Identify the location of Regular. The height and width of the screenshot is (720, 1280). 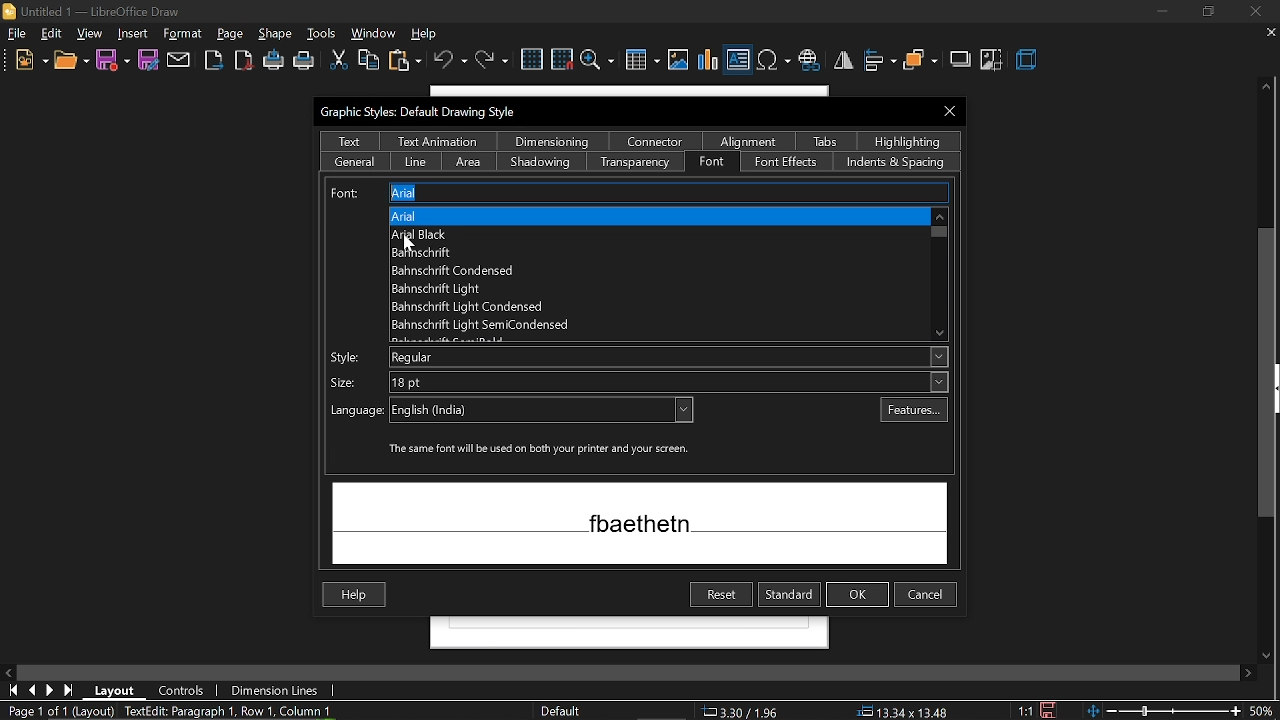
(665, 358).